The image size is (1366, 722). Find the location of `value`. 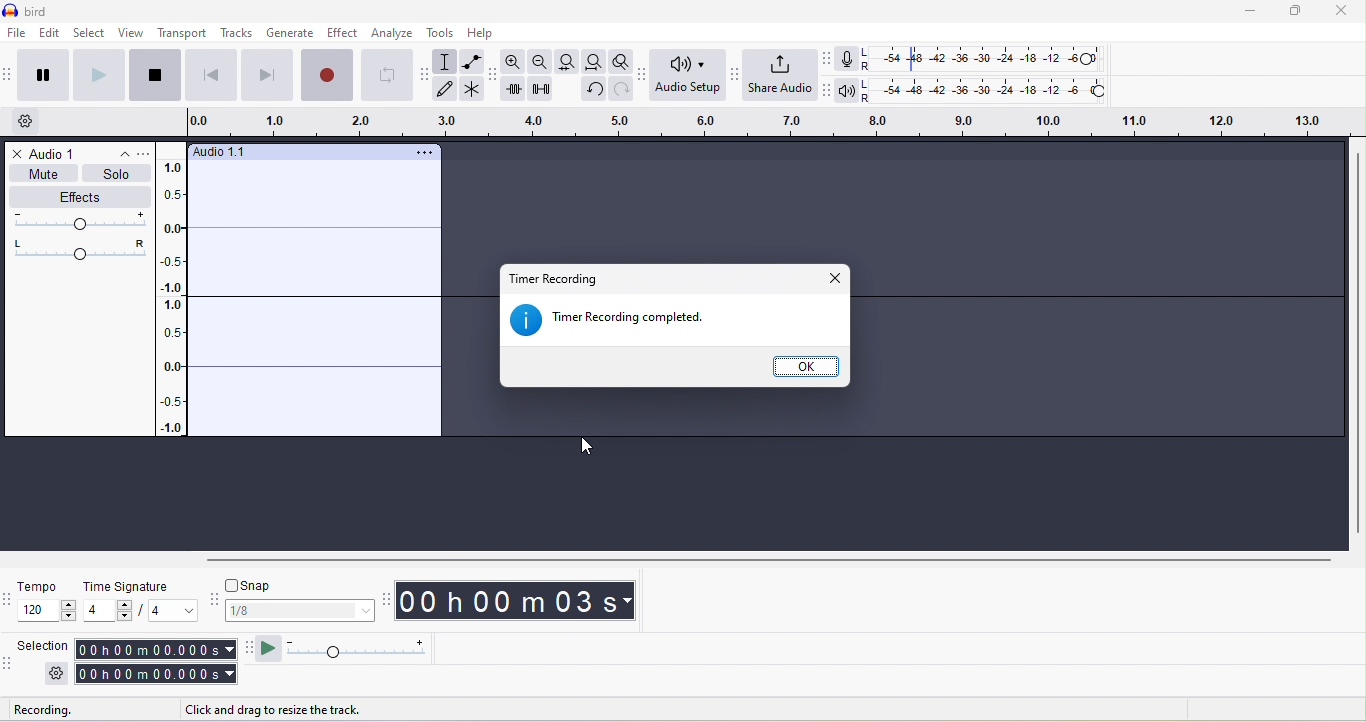

value is located at coordinates (168, 611).